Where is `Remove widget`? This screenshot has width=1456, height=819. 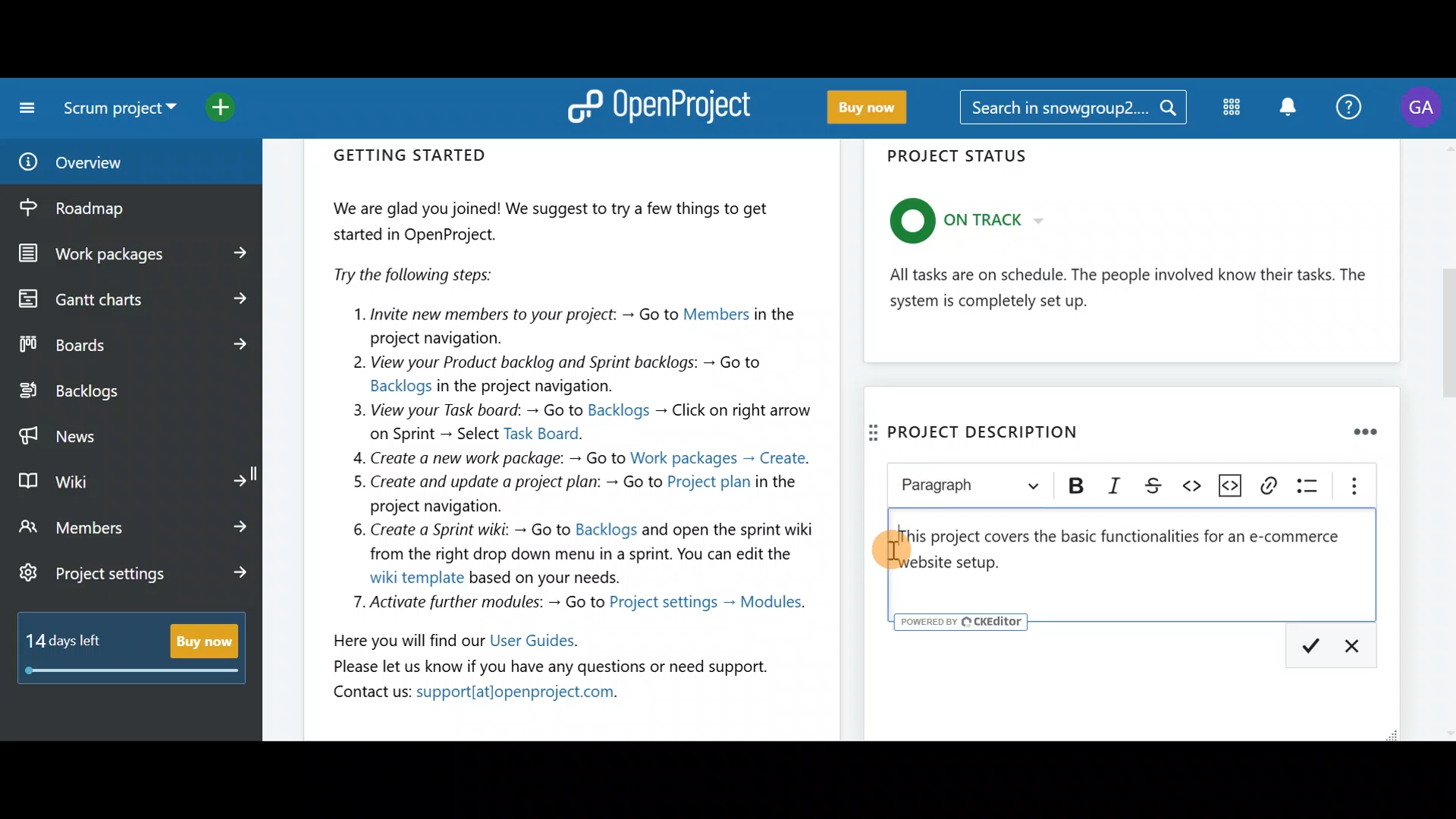
Remove widget is located at coordinates (1370, 434).